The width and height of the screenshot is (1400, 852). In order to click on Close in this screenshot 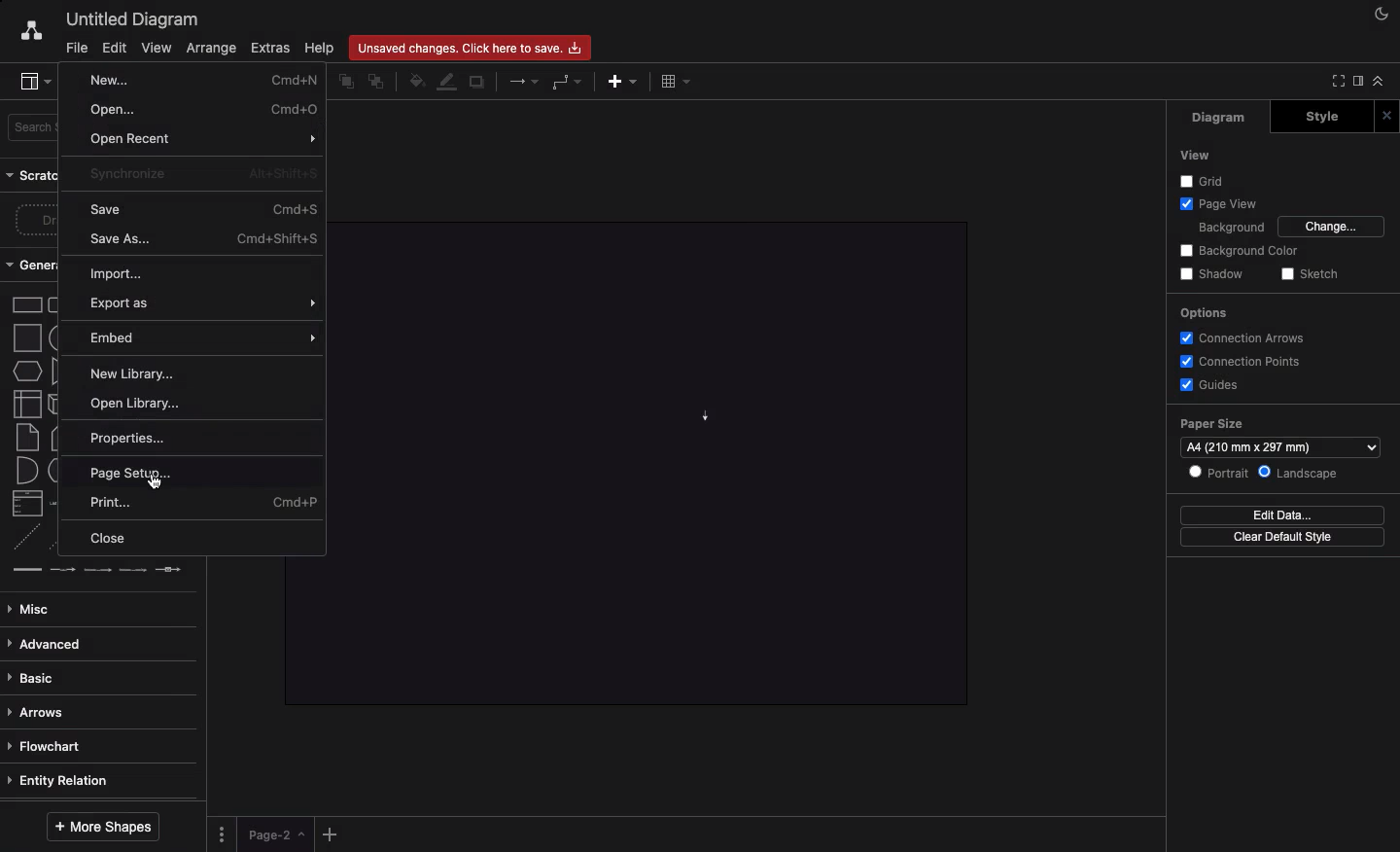, I will do `click(1386, 116)`.